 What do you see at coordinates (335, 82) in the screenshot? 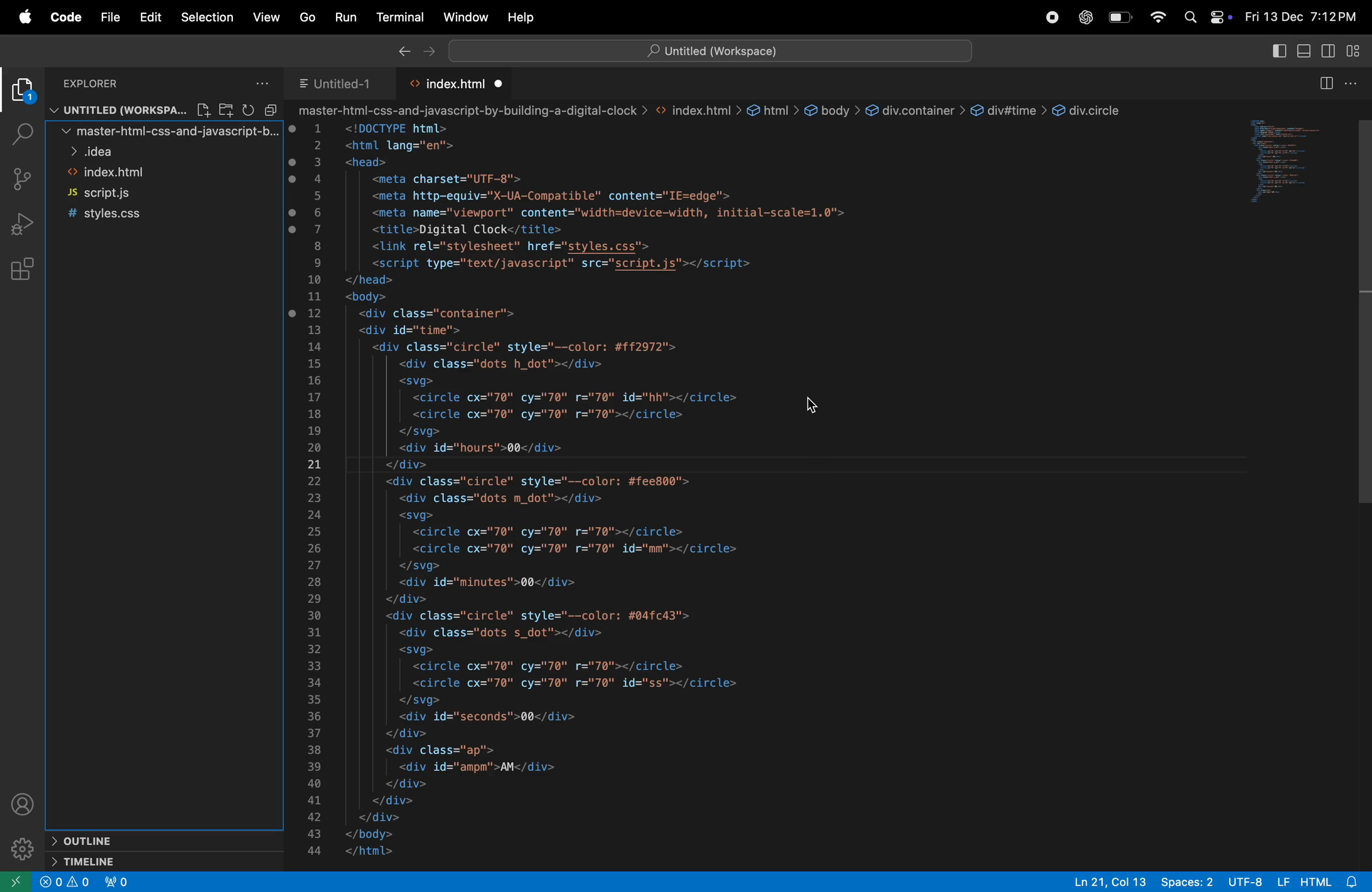
I see `untitled 1` at bounding box center [335, 82].